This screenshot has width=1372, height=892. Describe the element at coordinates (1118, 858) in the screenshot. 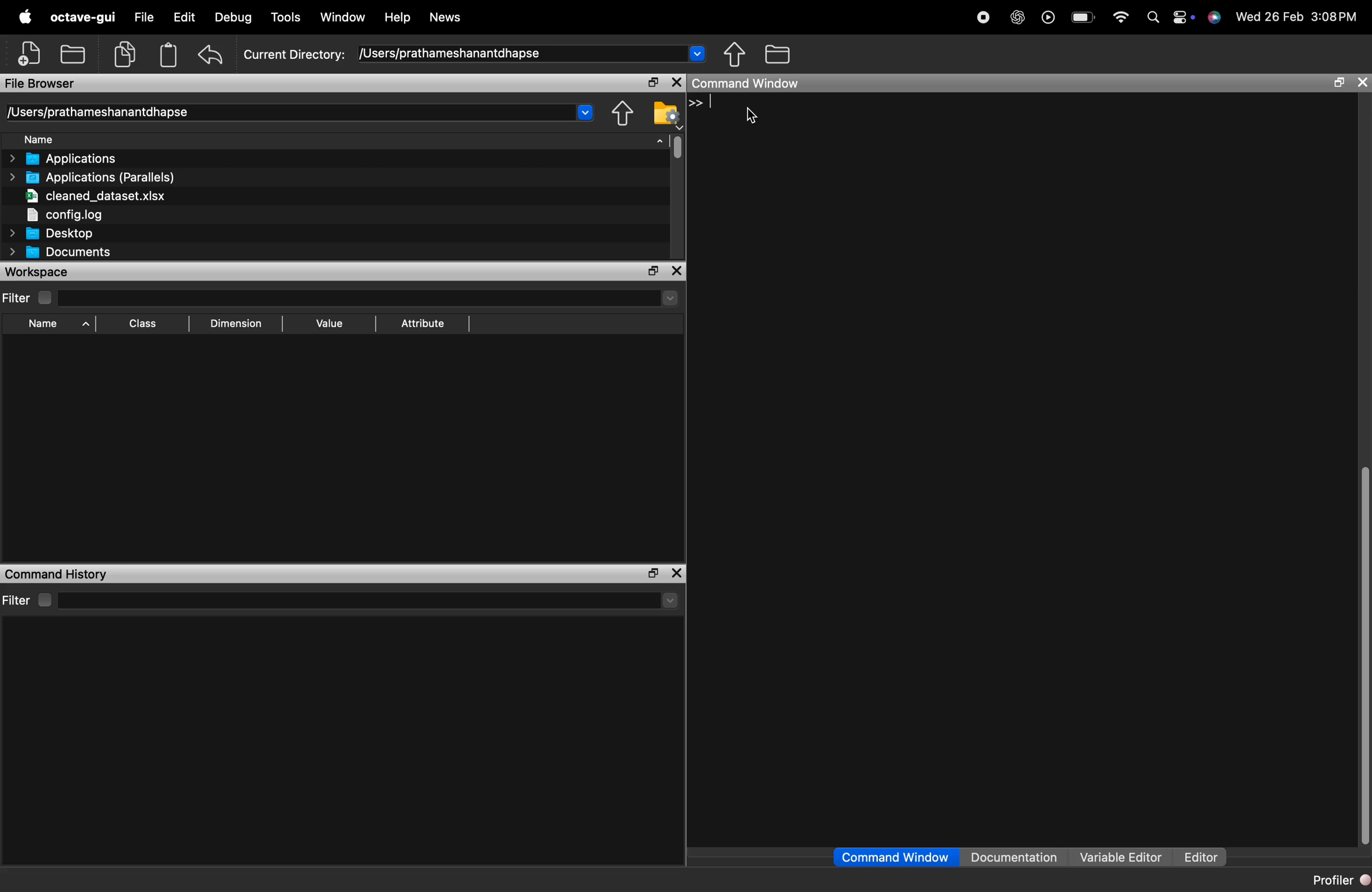

I see `Variable Editor` at that location.